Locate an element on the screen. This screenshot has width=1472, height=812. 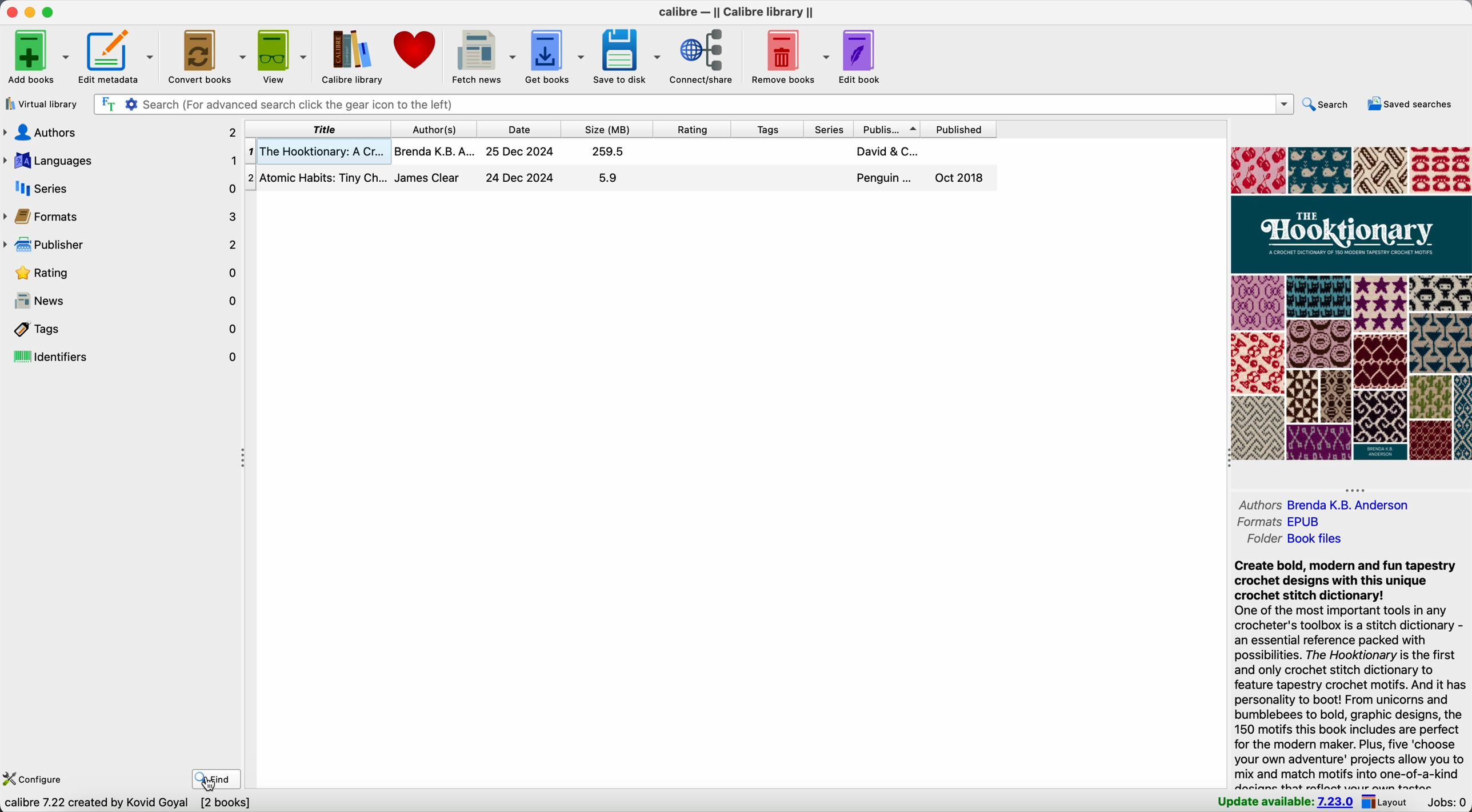
authors is located at coordinates (1327, 503).